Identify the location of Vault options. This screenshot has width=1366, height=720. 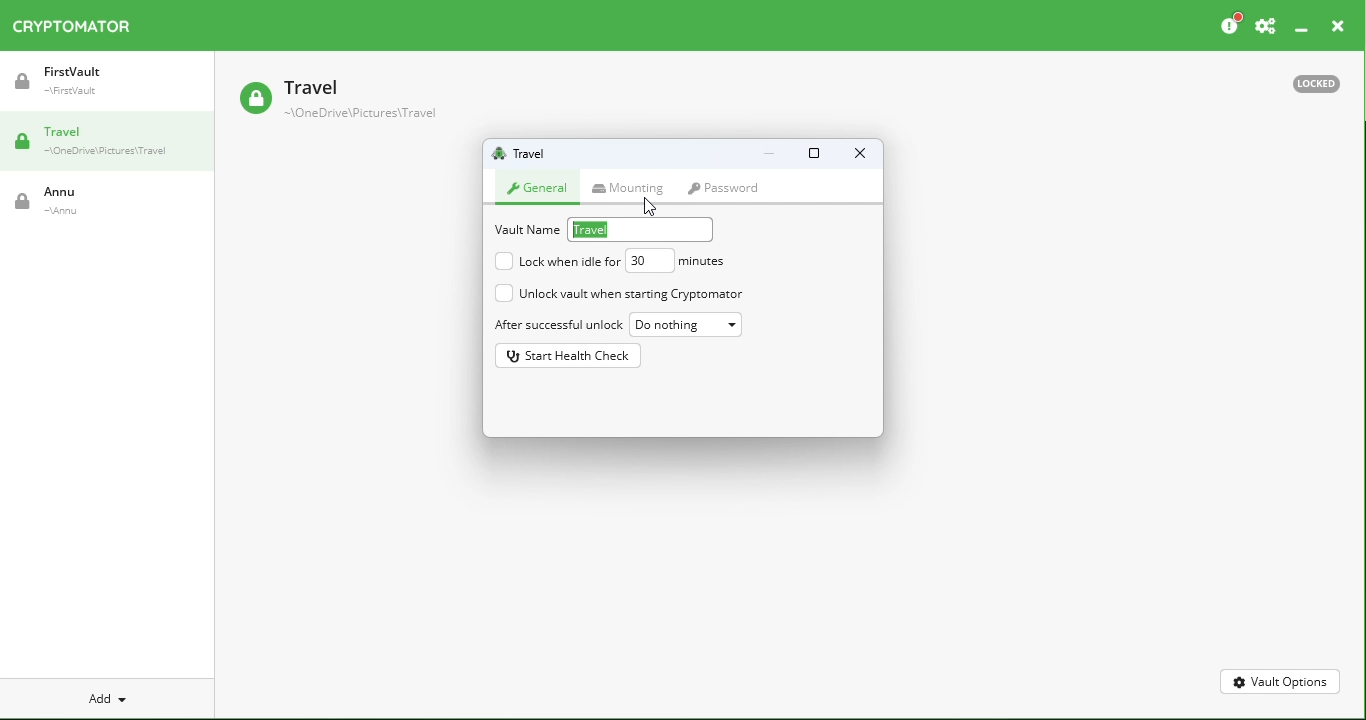
(1278, 678).